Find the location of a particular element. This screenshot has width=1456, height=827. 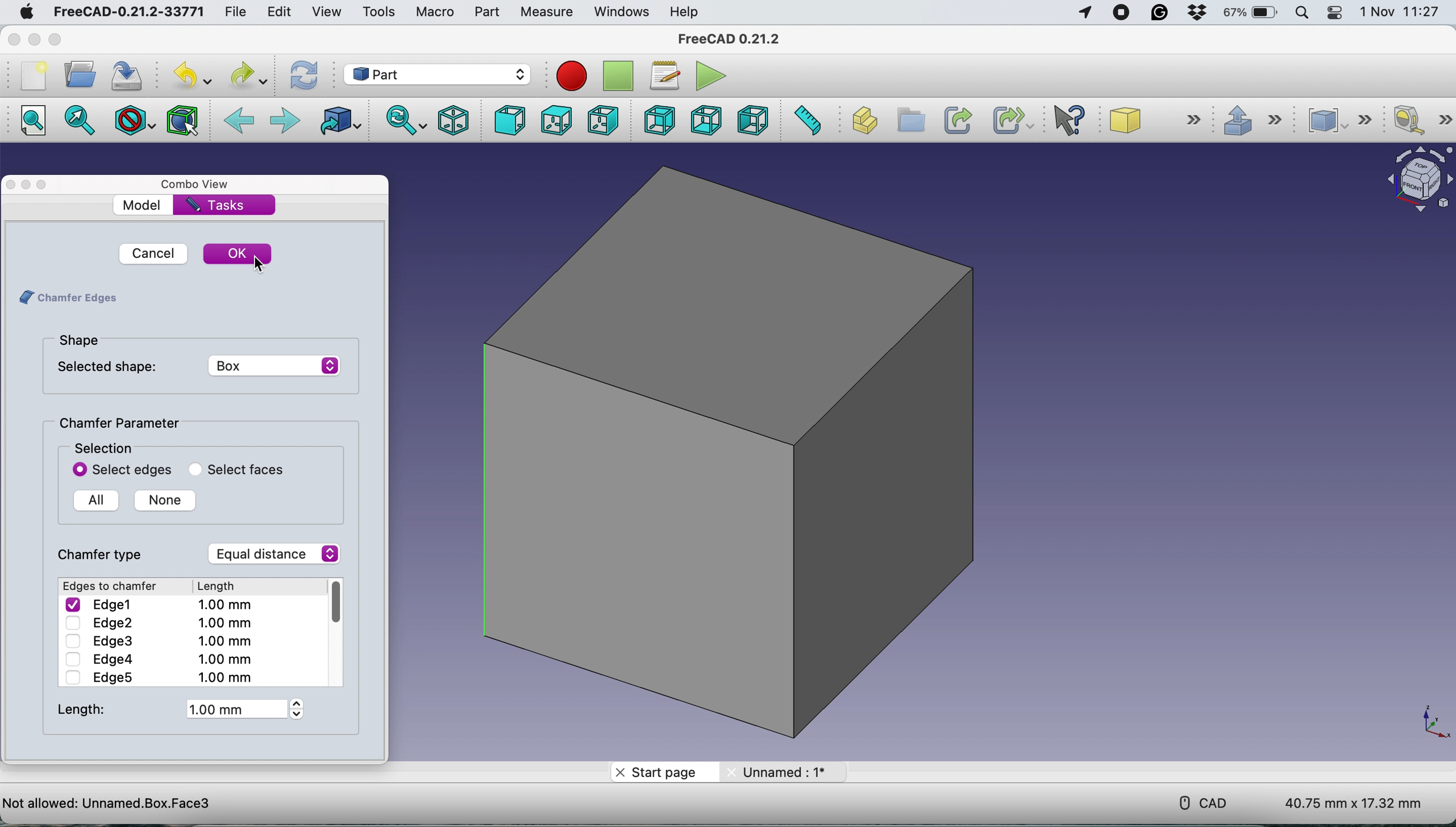

tasks is located at coordinates (222, 204).